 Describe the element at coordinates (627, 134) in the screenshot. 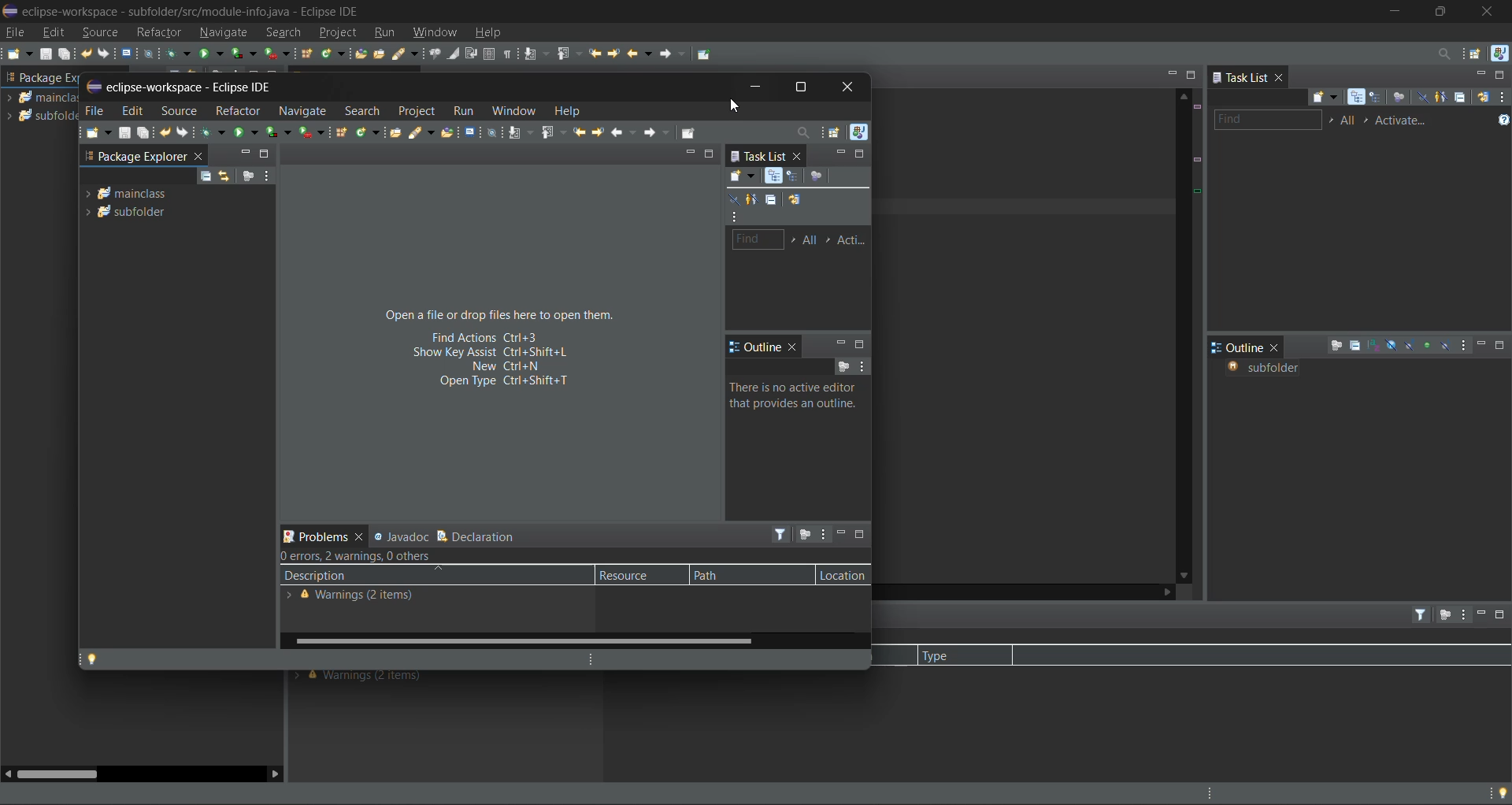

I see `back` at that location.